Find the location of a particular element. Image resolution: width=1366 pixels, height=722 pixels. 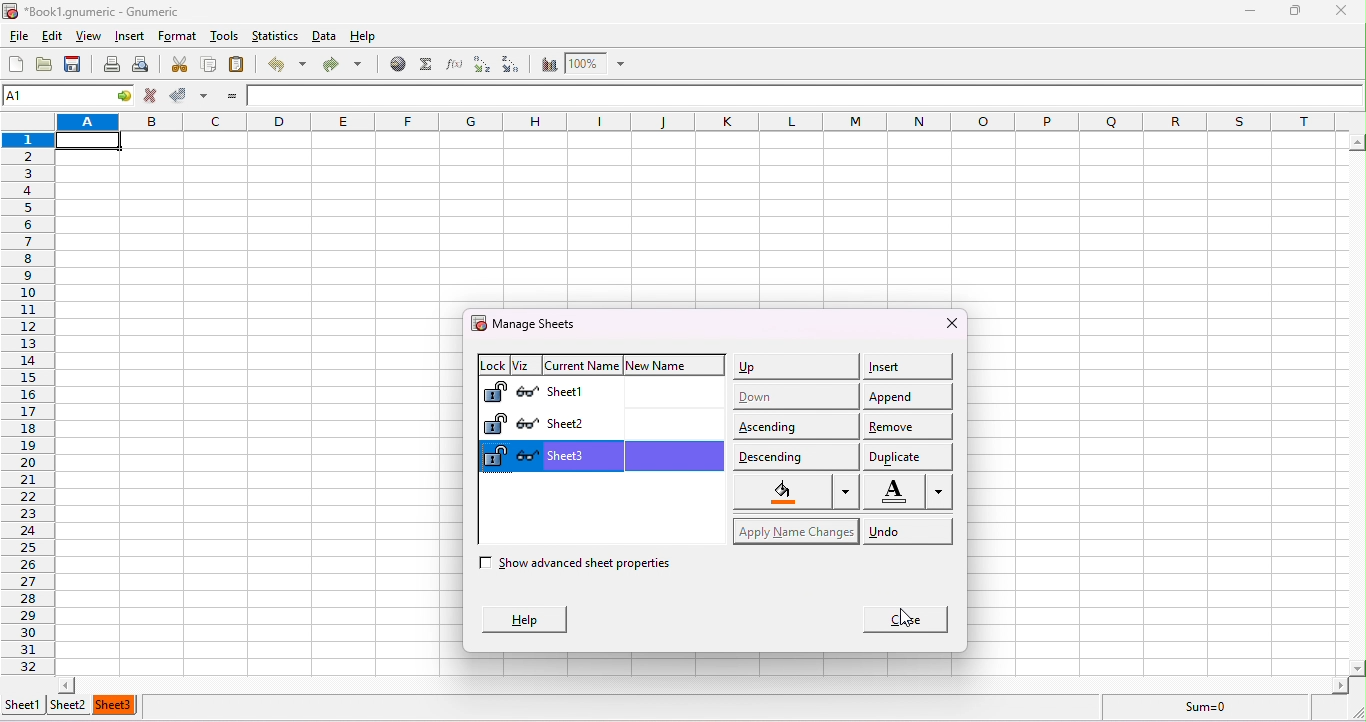

print preview is located at coordinates (148, 65).